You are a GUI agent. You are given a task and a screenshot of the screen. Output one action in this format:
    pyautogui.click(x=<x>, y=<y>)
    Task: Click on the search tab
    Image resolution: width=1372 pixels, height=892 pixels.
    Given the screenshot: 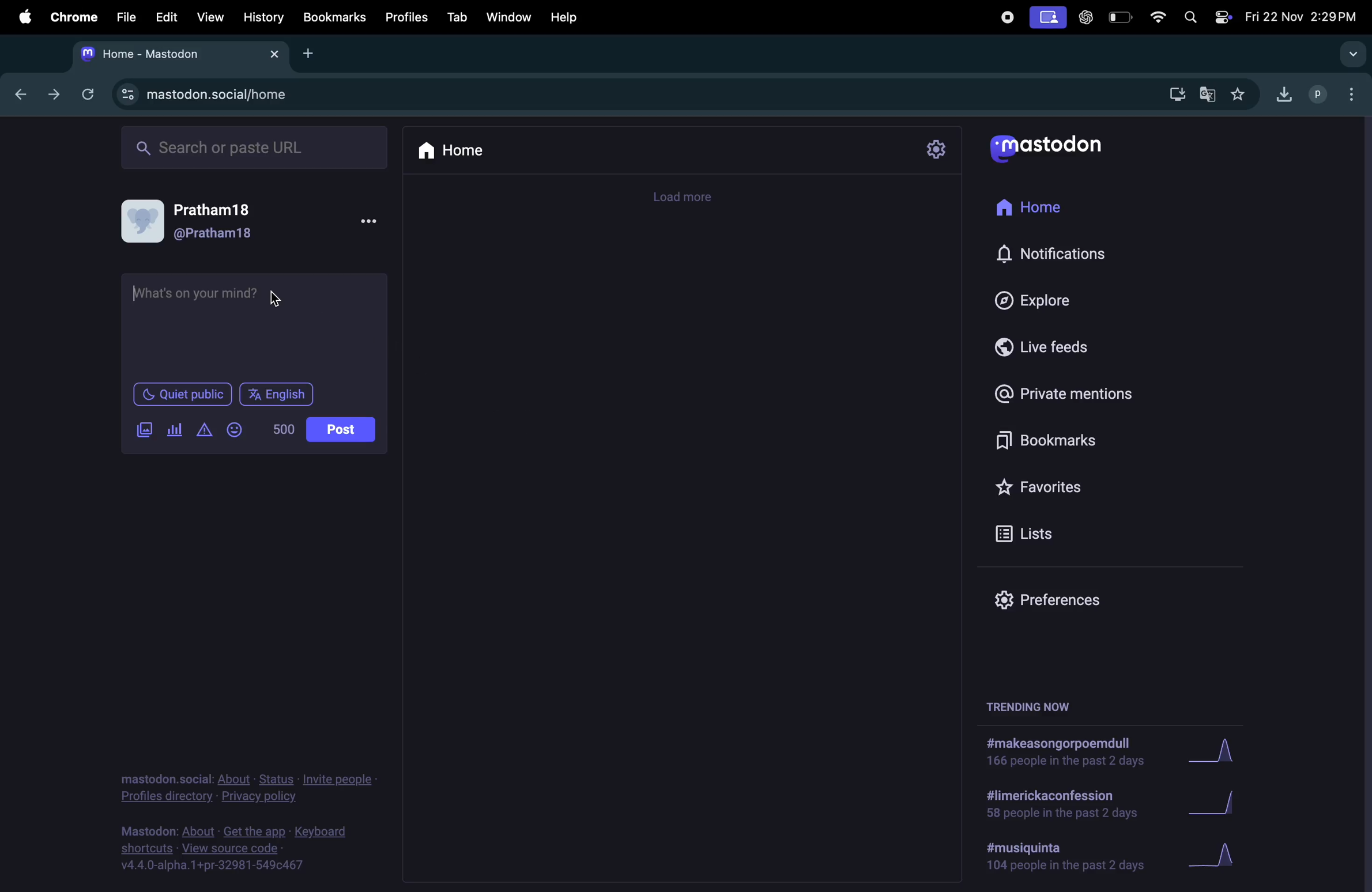 What is the action you would take?
    pyautogui.click(x=1352, y=52)
    